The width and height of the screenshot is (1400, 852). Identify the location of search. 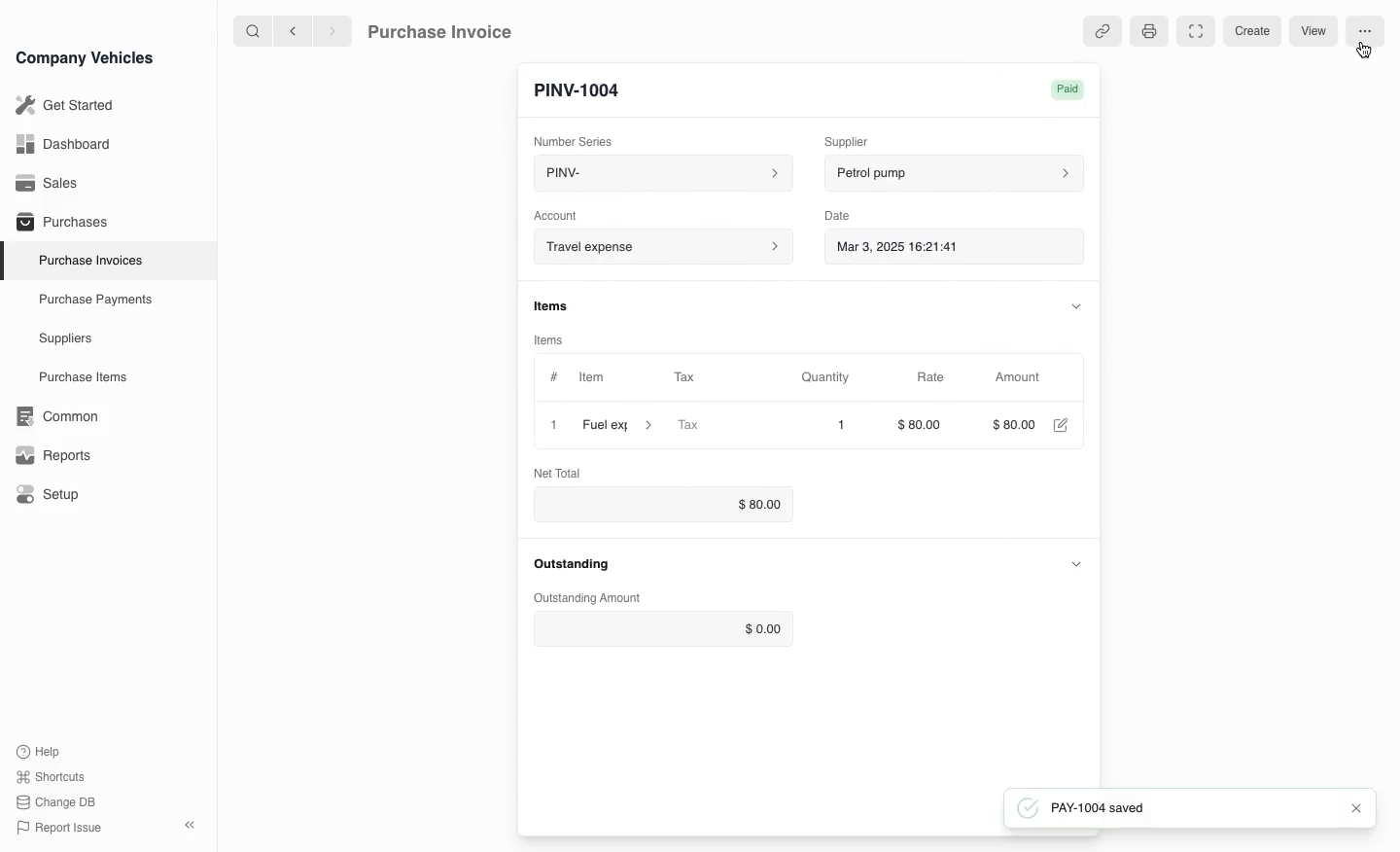
(254, 30).